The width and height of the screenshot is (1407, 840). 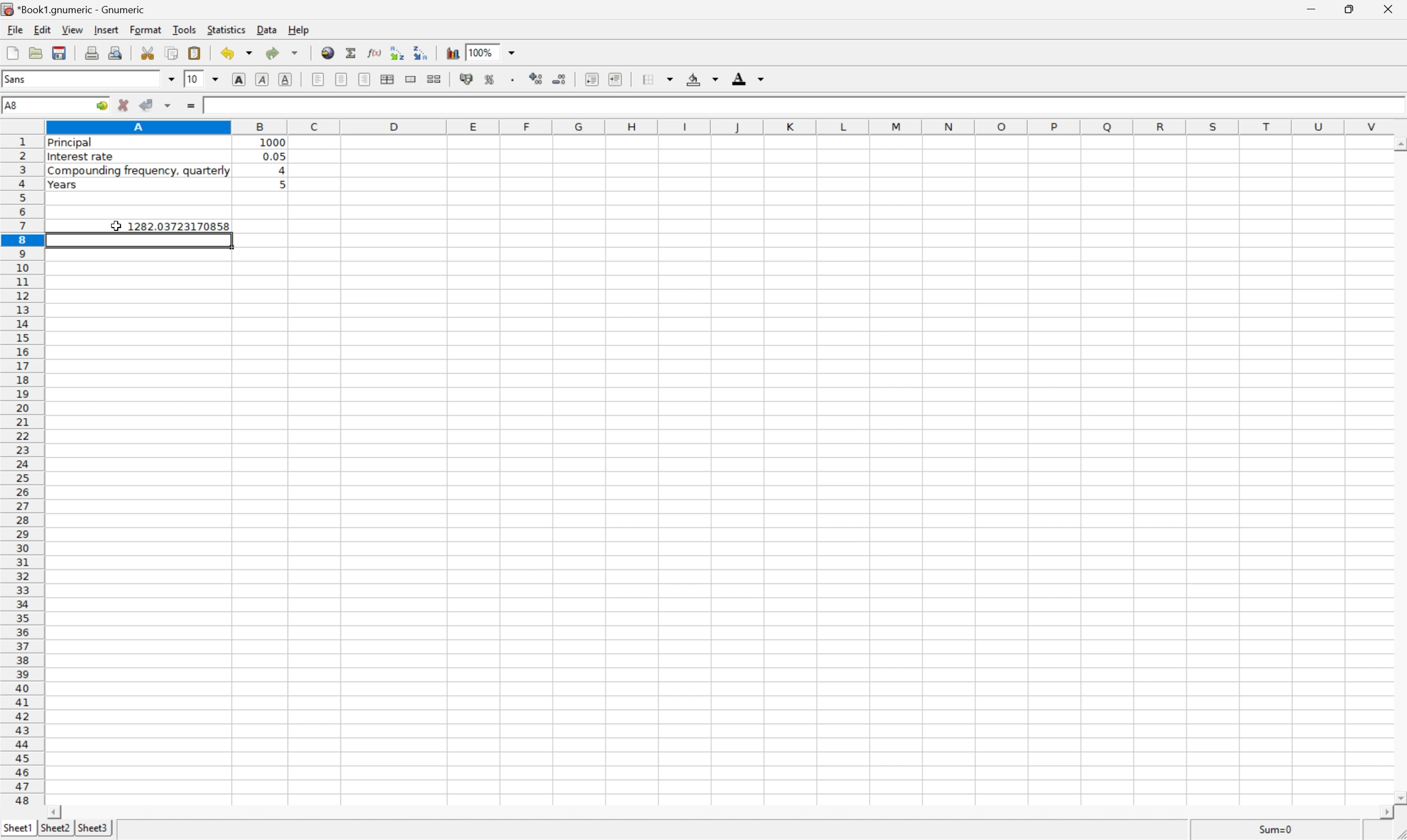 What do you see at coordinates (81, 158) in the screenshot?
I see `interest rate` at bounding box center [81, 158].